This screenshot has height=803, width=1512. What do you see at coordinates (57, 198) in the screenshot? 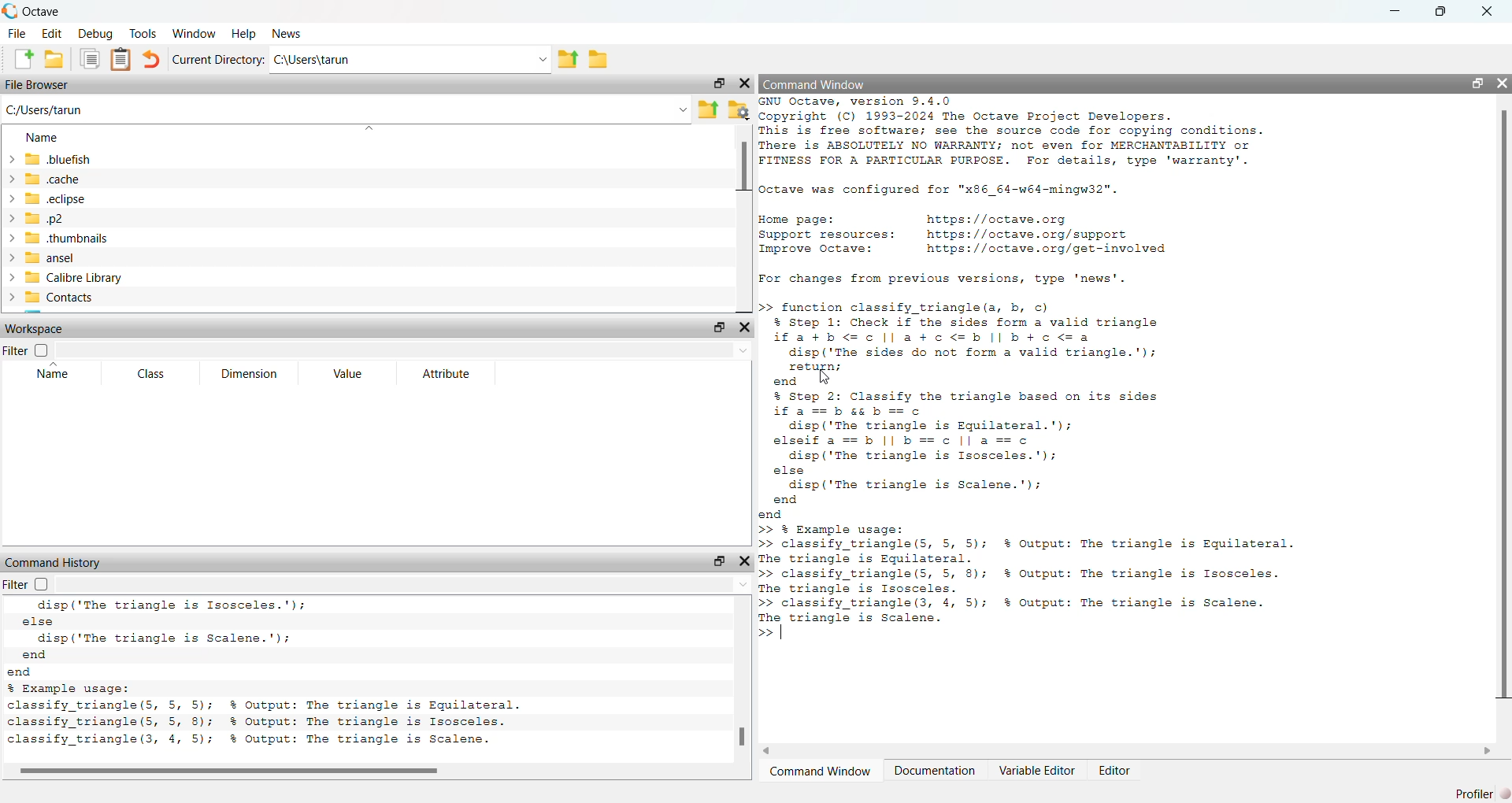
I see `.eclipse` at bounding box center [57, 198].